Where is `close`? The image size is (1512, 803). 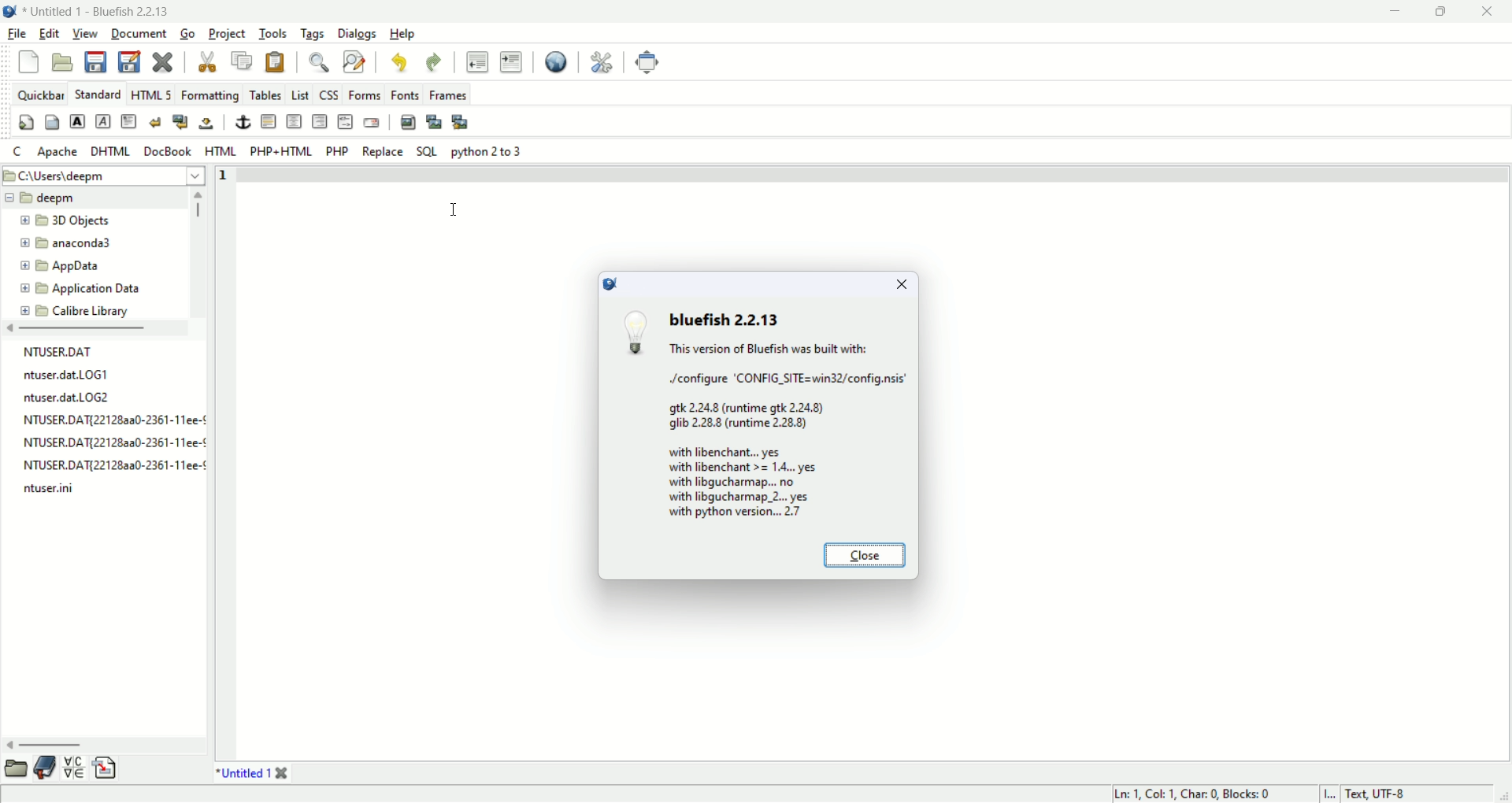
close is located at coordinates (280, 773).